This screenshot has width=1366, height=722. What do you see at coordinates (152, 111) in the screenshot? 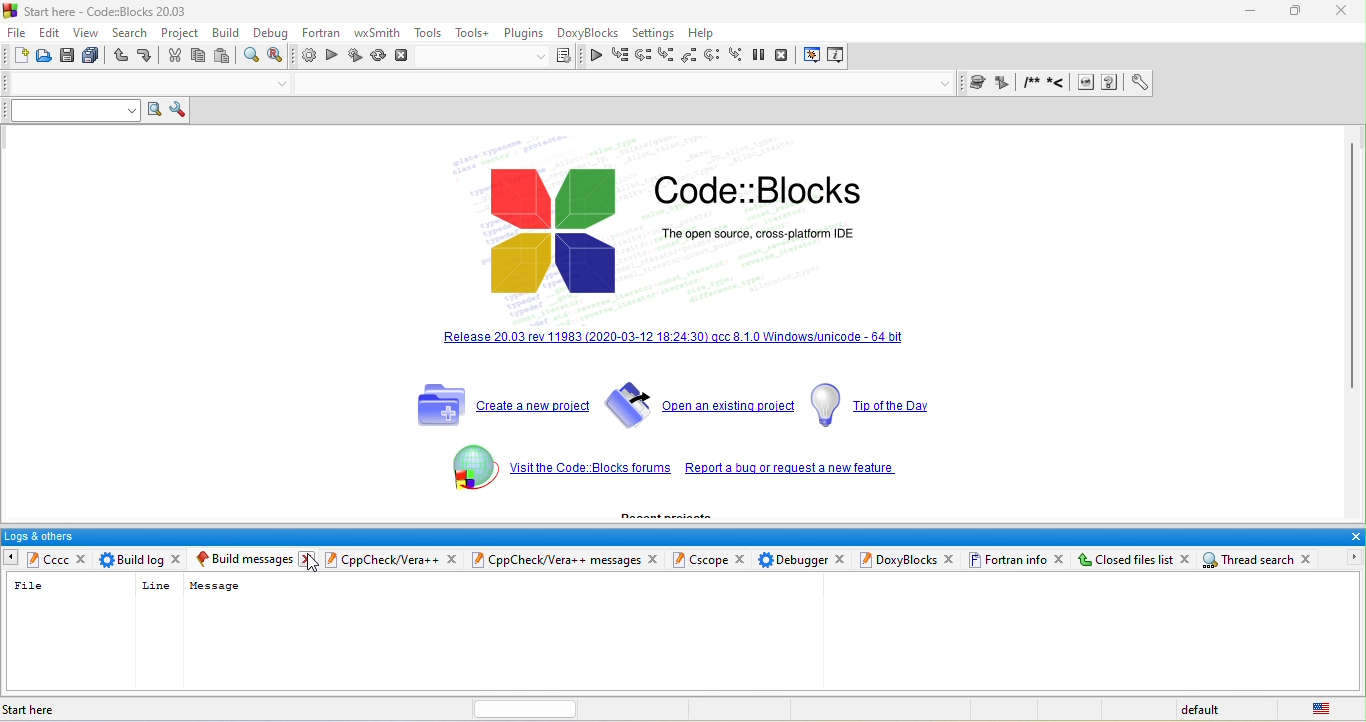
I see `run search` at bounding box center [152, 111].